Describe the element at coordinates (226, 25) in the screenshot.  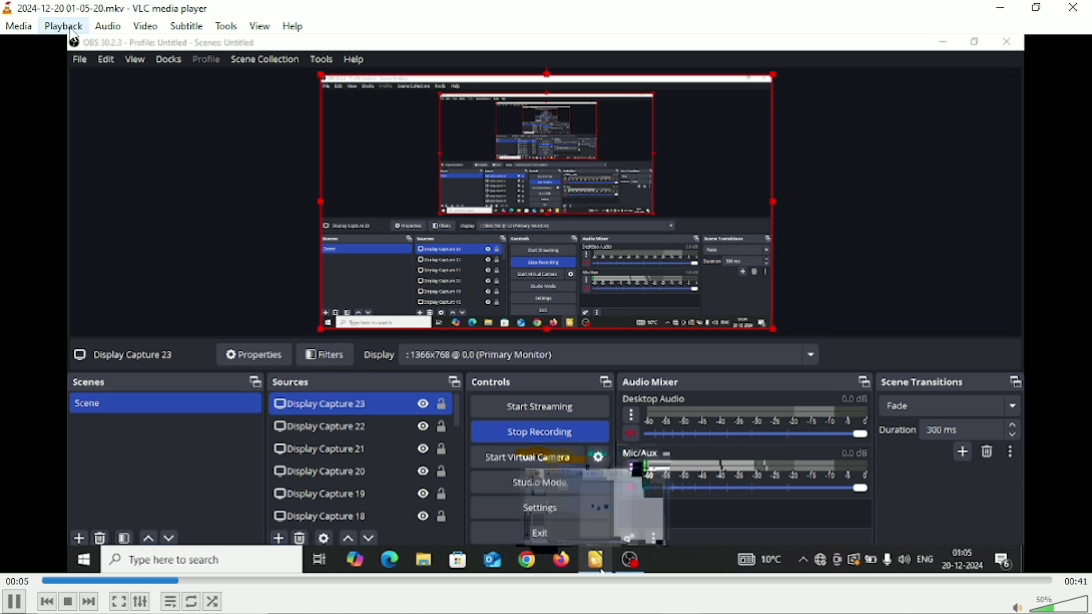
I see `Tools` at that location.